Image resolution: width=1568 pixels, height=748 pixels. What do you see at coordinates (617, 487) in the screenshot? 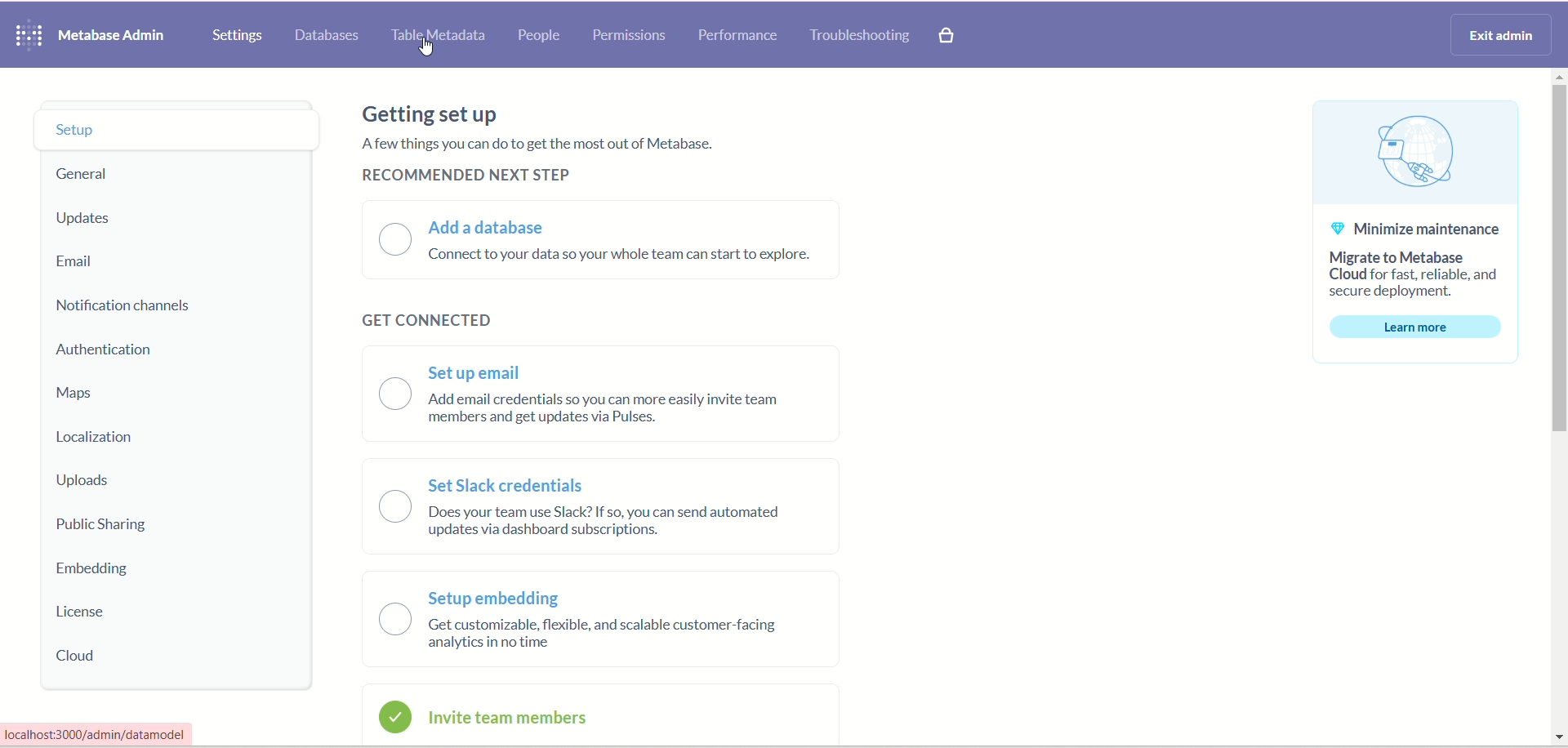
I see `set slack credentials ` at bounding box center [617, 487].